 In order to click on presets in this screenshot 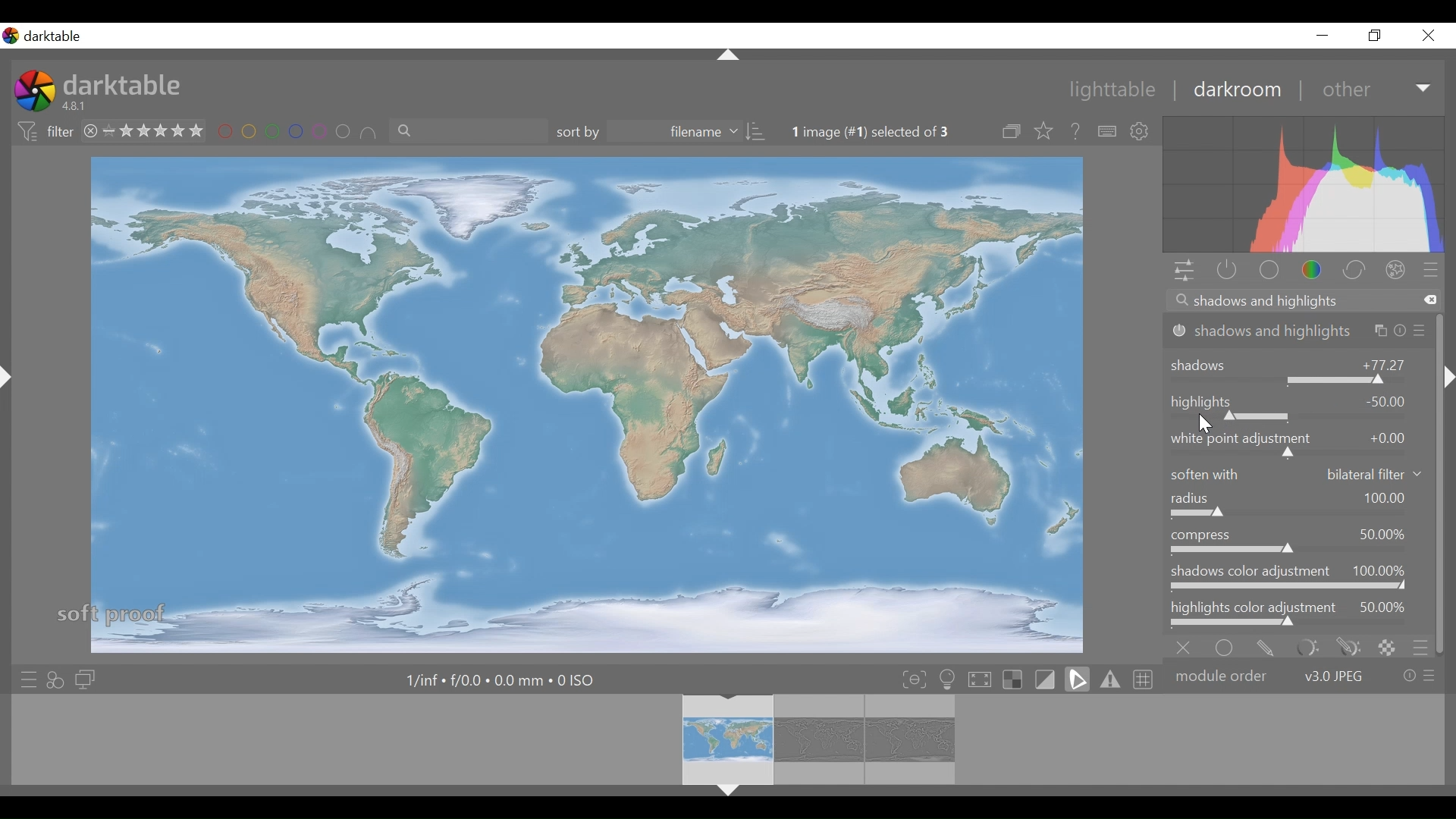, I will do `click(1436, 270)`.